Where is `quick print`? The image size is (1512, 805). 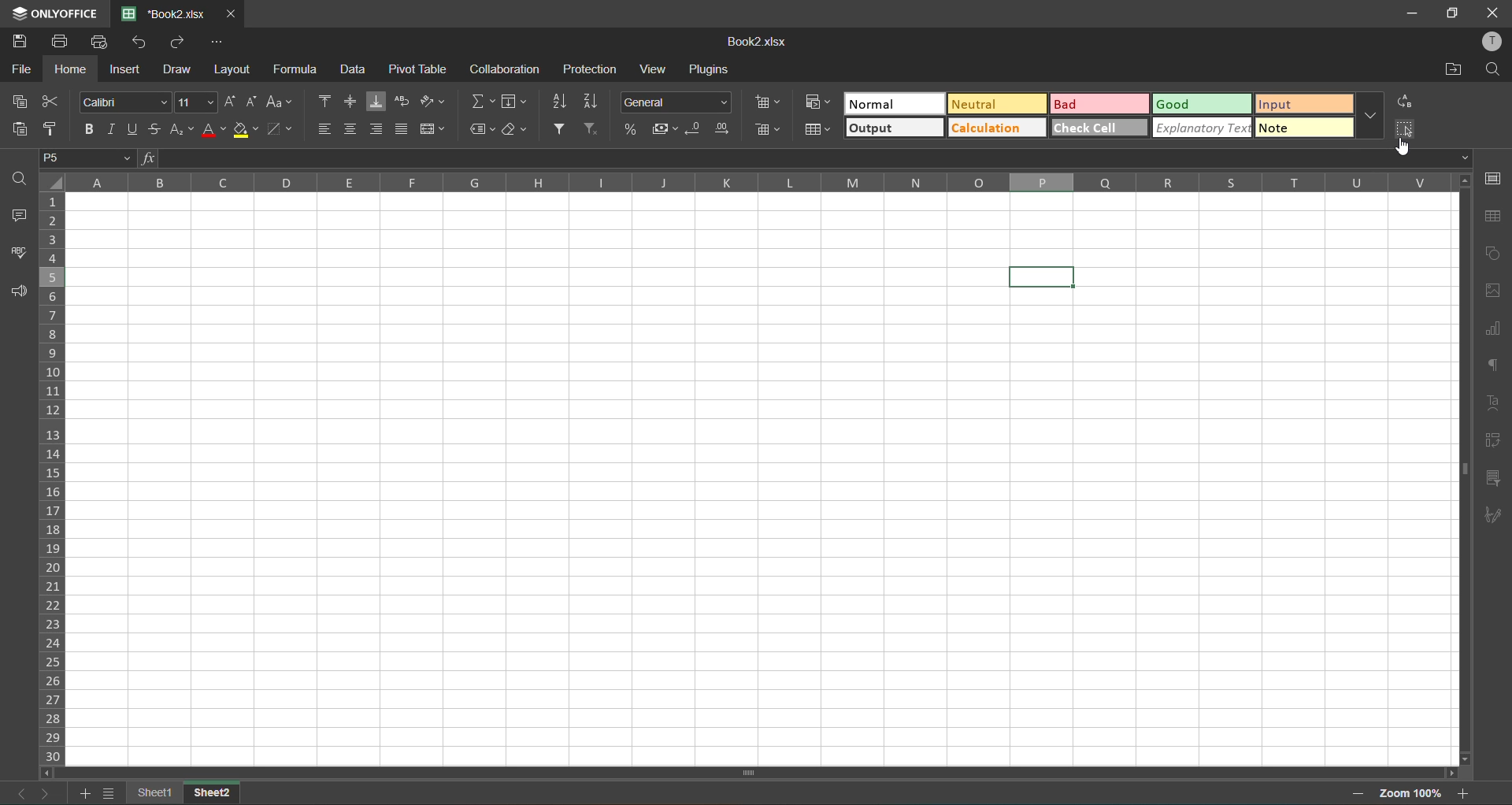
quick print is located at coordinates (98, 43).